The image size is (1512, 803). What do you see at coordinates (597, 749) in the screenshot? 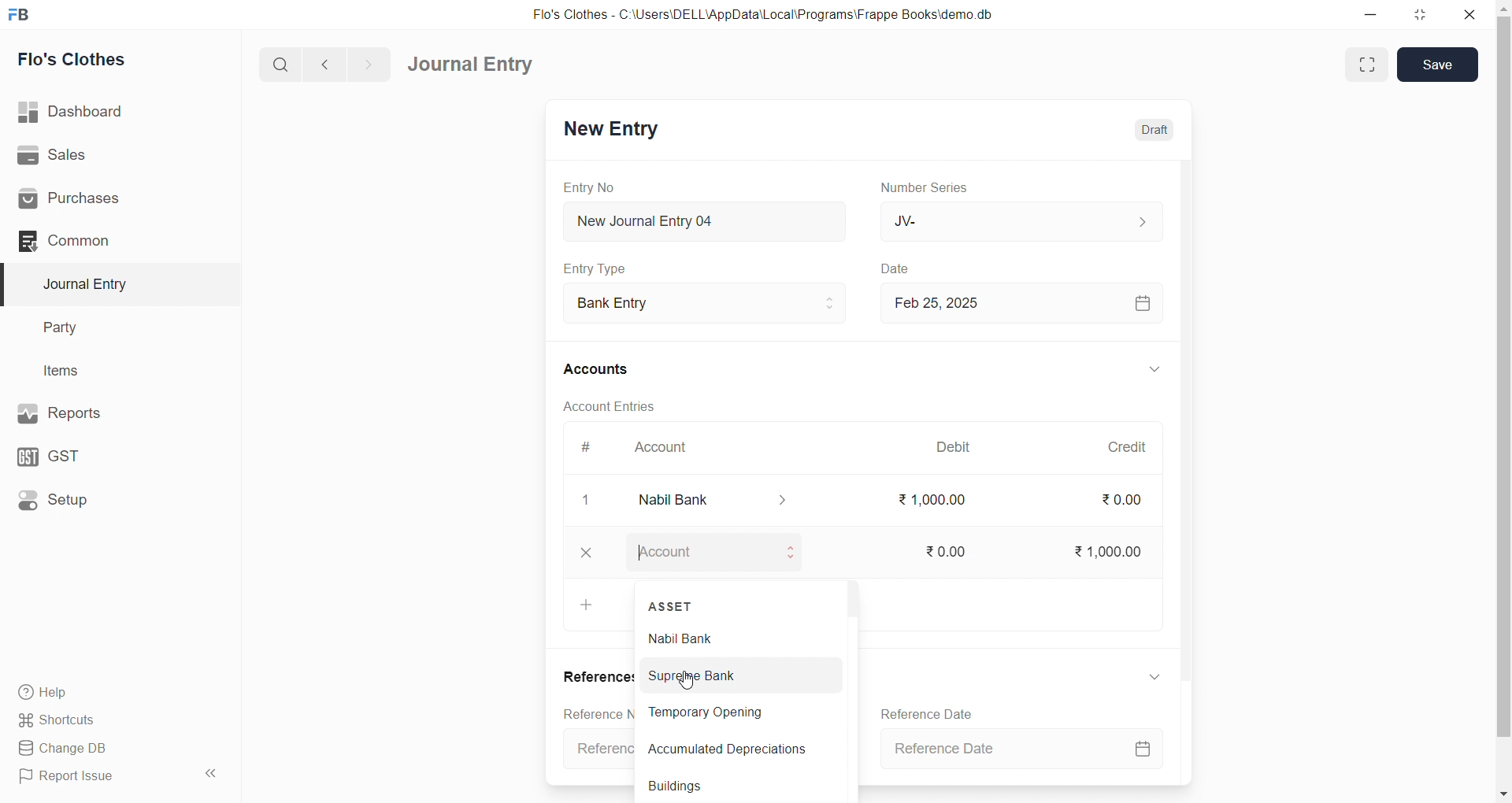
I see `Reference Number` at bounding box center [597, 749].